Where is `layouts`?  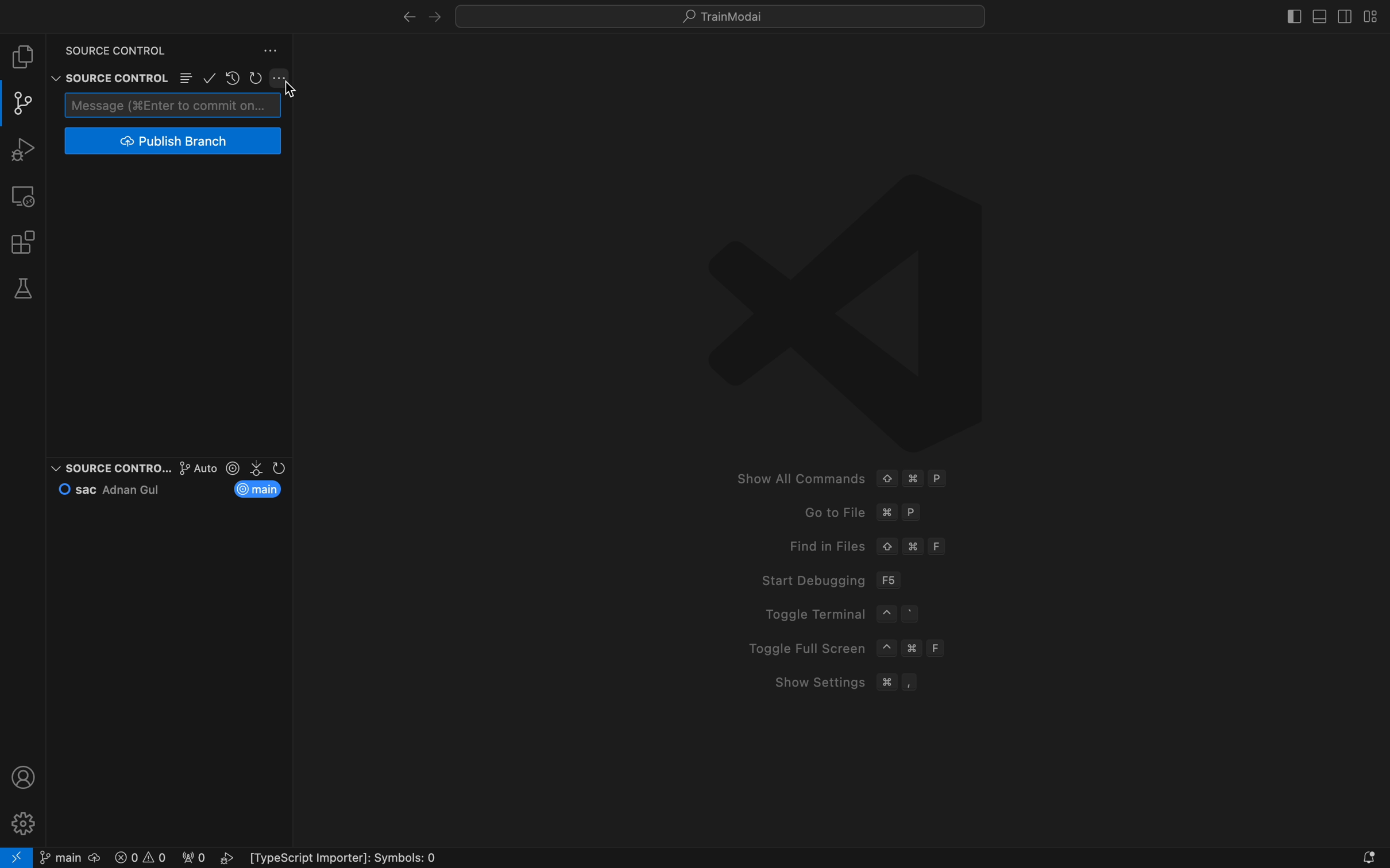 layouts is located at coordinates (1368, 16).